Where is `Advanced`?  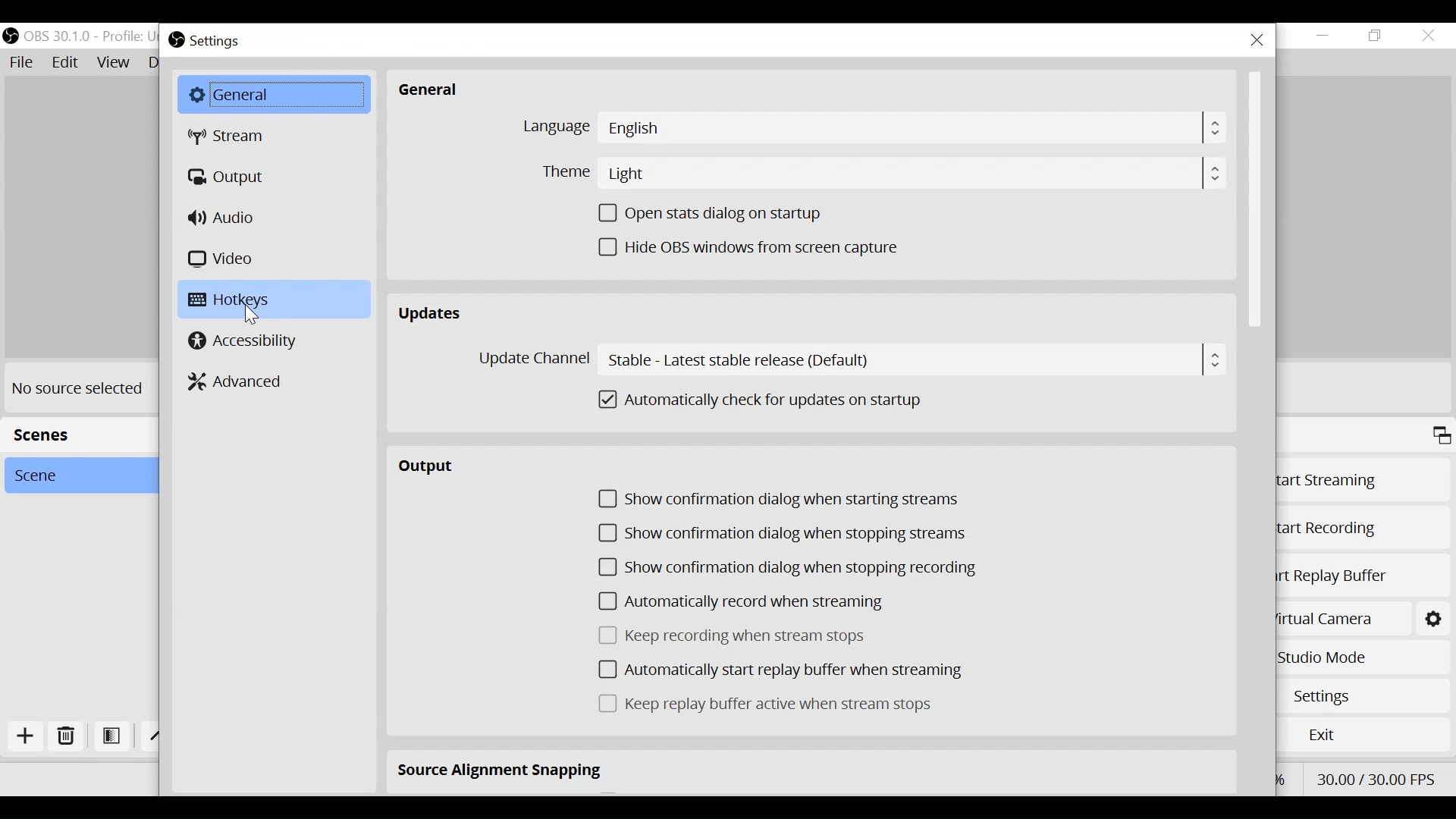 Advanced is located at coordinates (242, 380).